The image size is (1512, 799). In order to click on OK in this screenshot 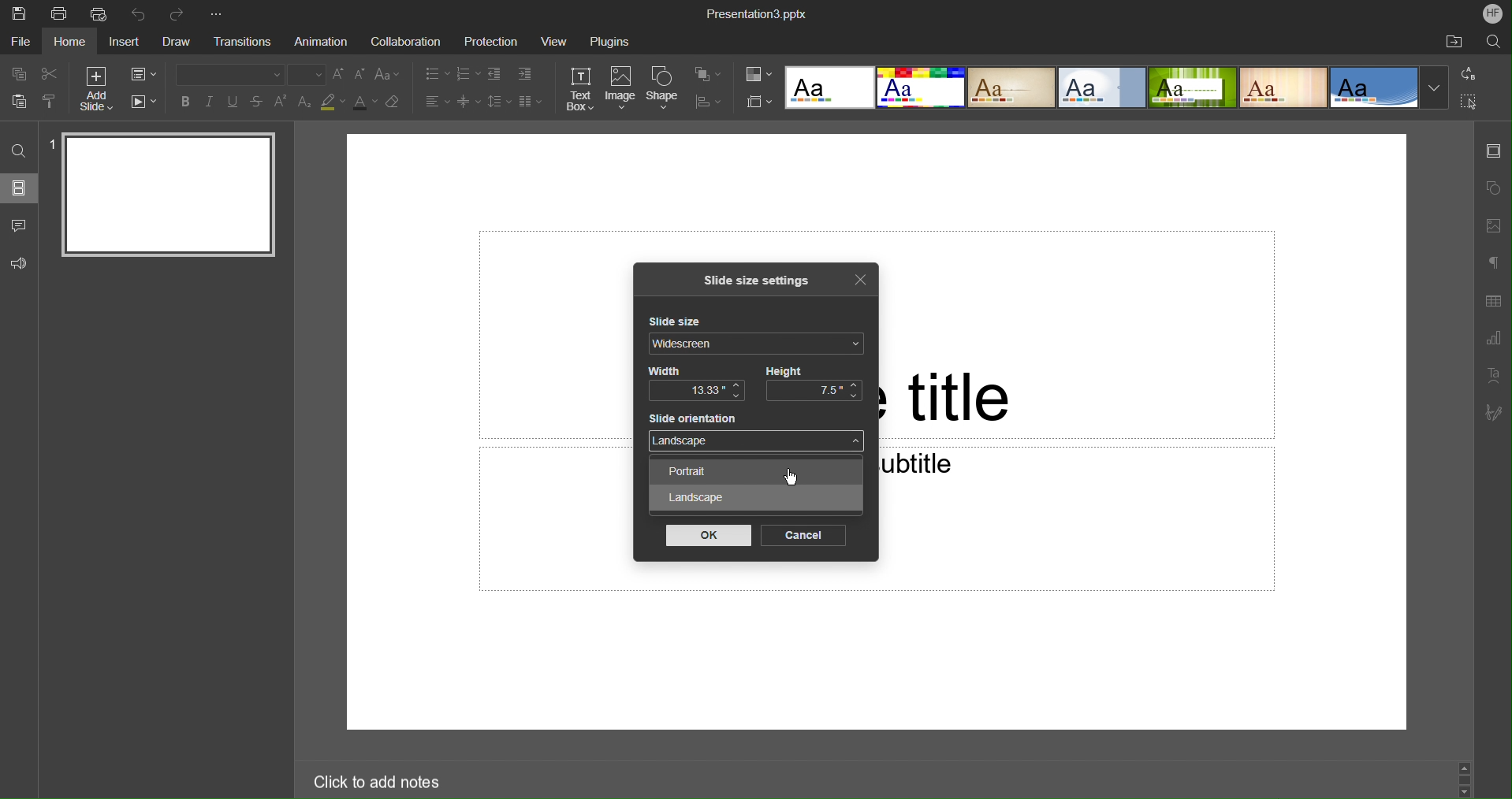, I will do `click(709, 535)`.